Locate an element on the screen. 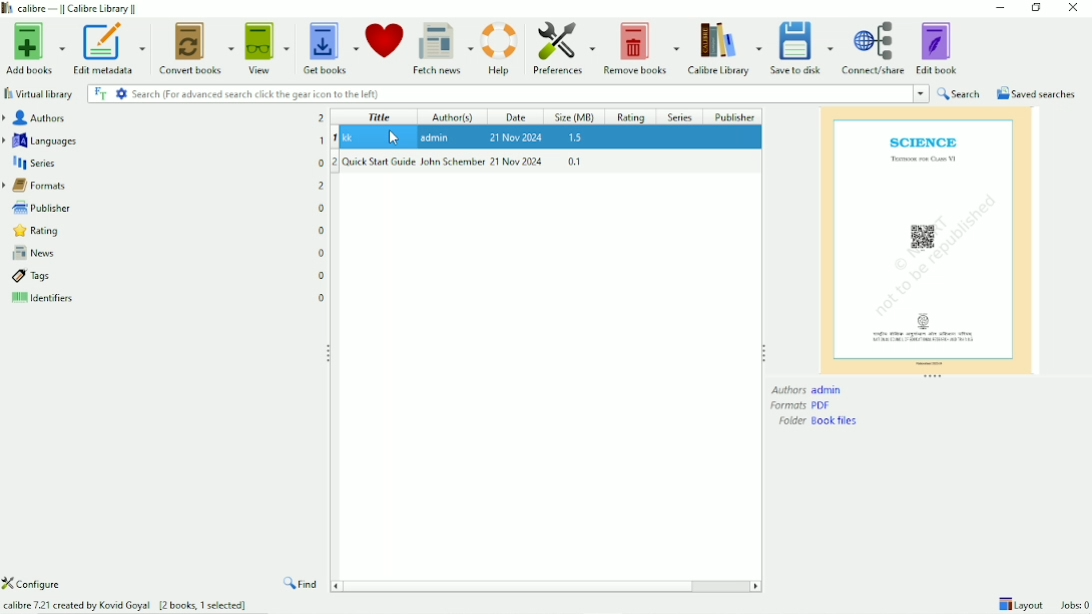  Virtual library is located at coordinates (39, 93).